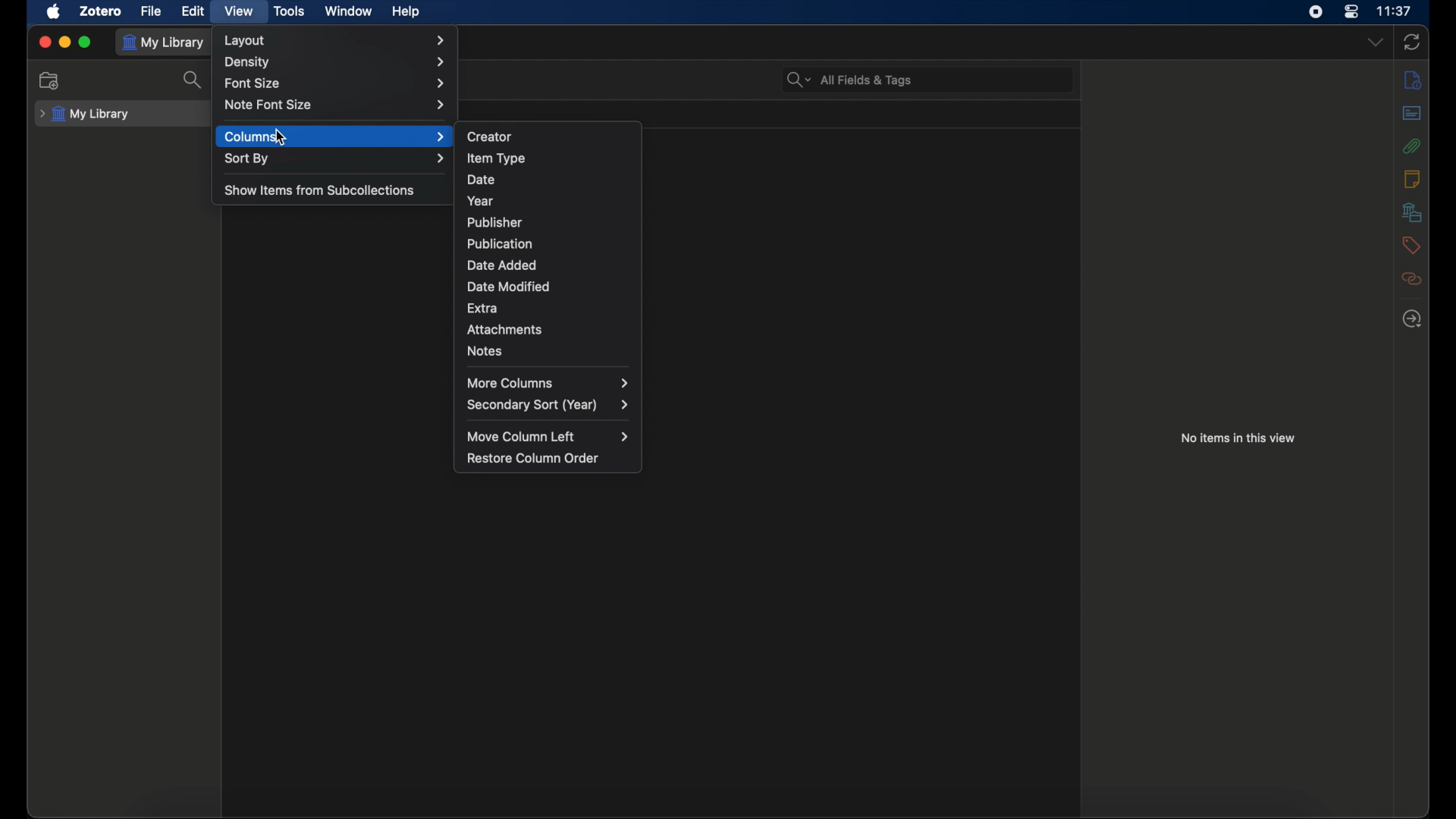 This screenshot has width=1456, height=819. I want to click on notes, so click(485, 350).